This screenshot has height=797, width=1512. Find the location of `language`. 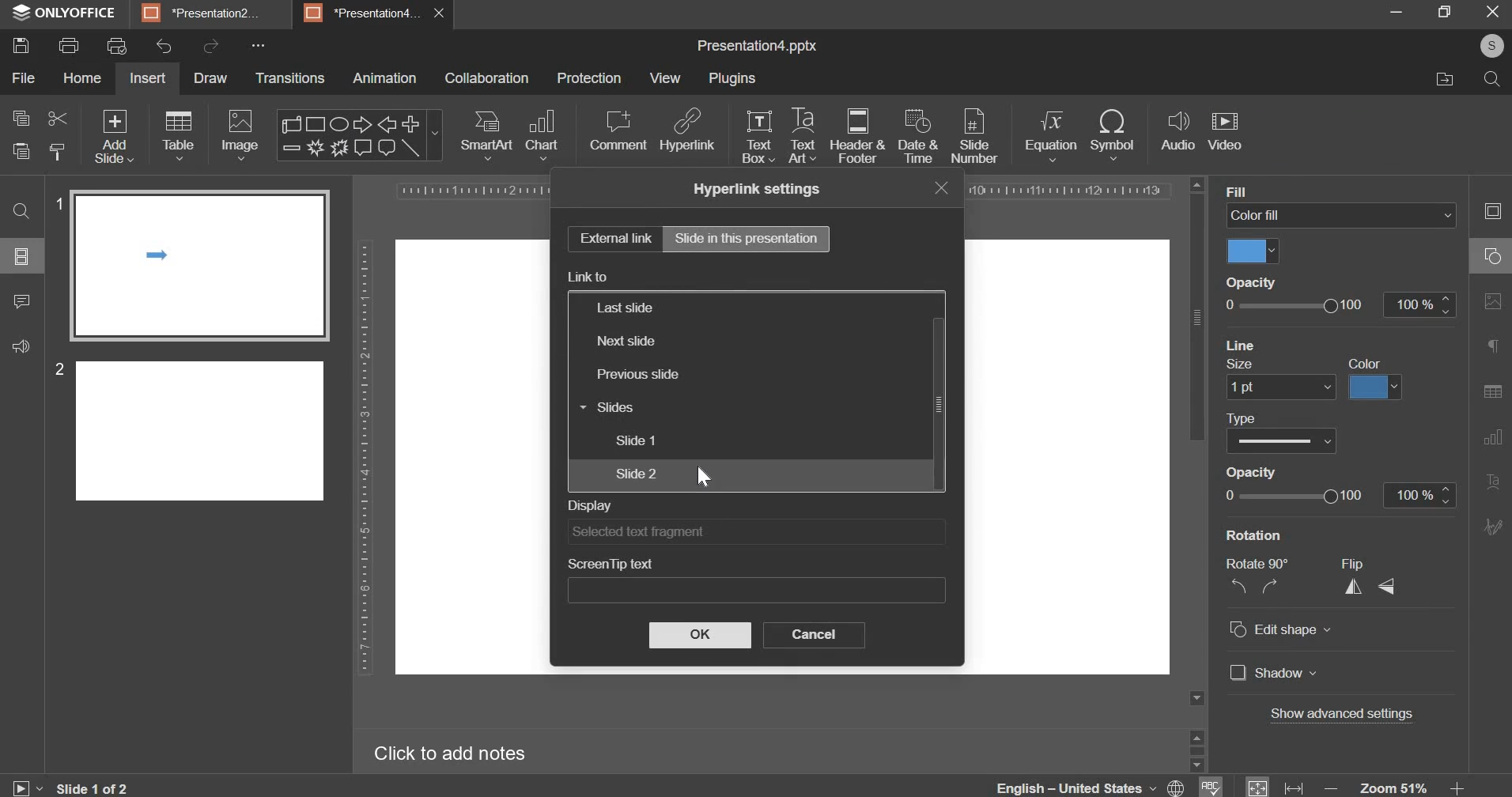

language is located at coordinates (1091, 784).